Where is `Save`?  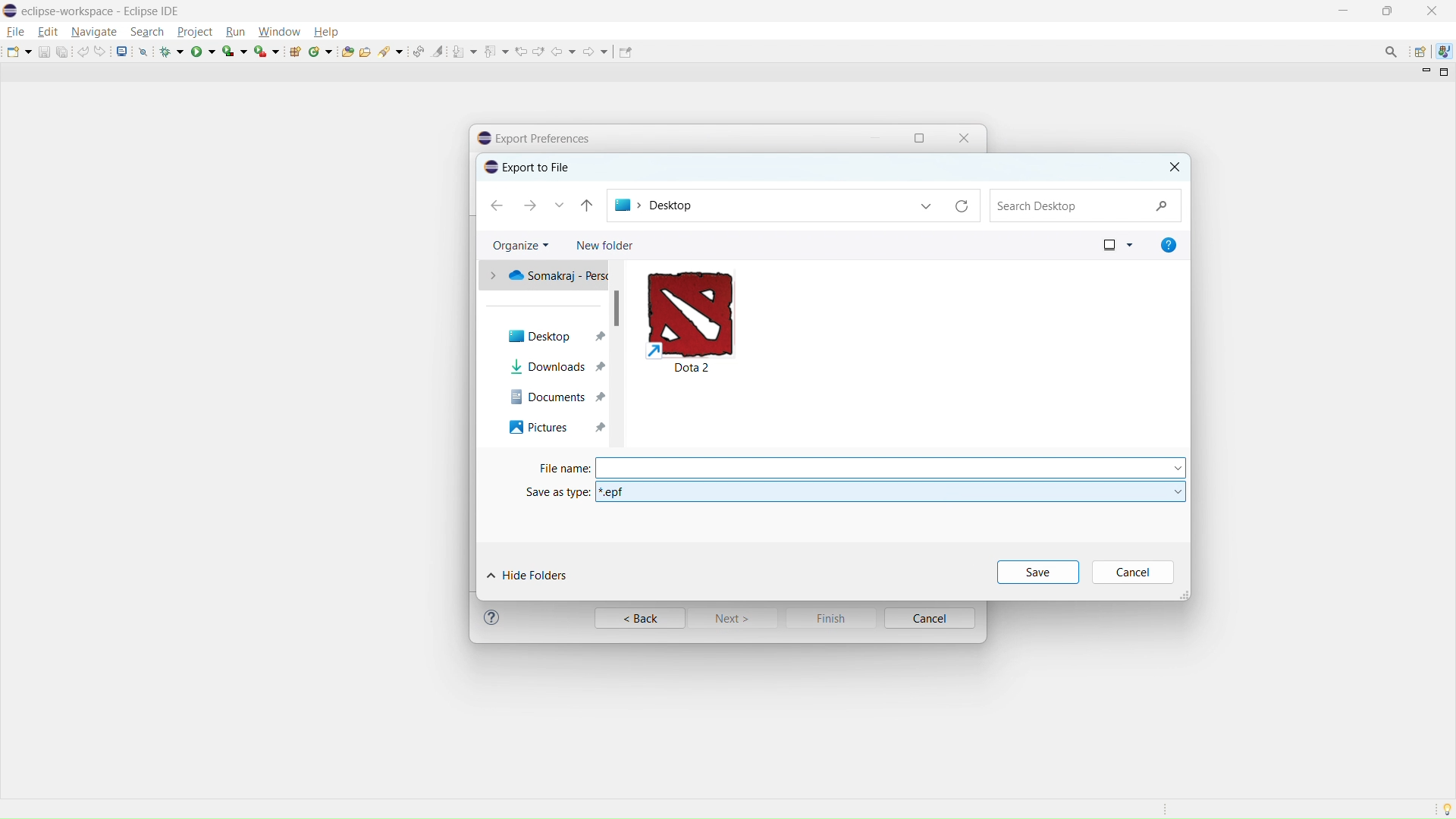 Save is located at coordinates (1036, 570).